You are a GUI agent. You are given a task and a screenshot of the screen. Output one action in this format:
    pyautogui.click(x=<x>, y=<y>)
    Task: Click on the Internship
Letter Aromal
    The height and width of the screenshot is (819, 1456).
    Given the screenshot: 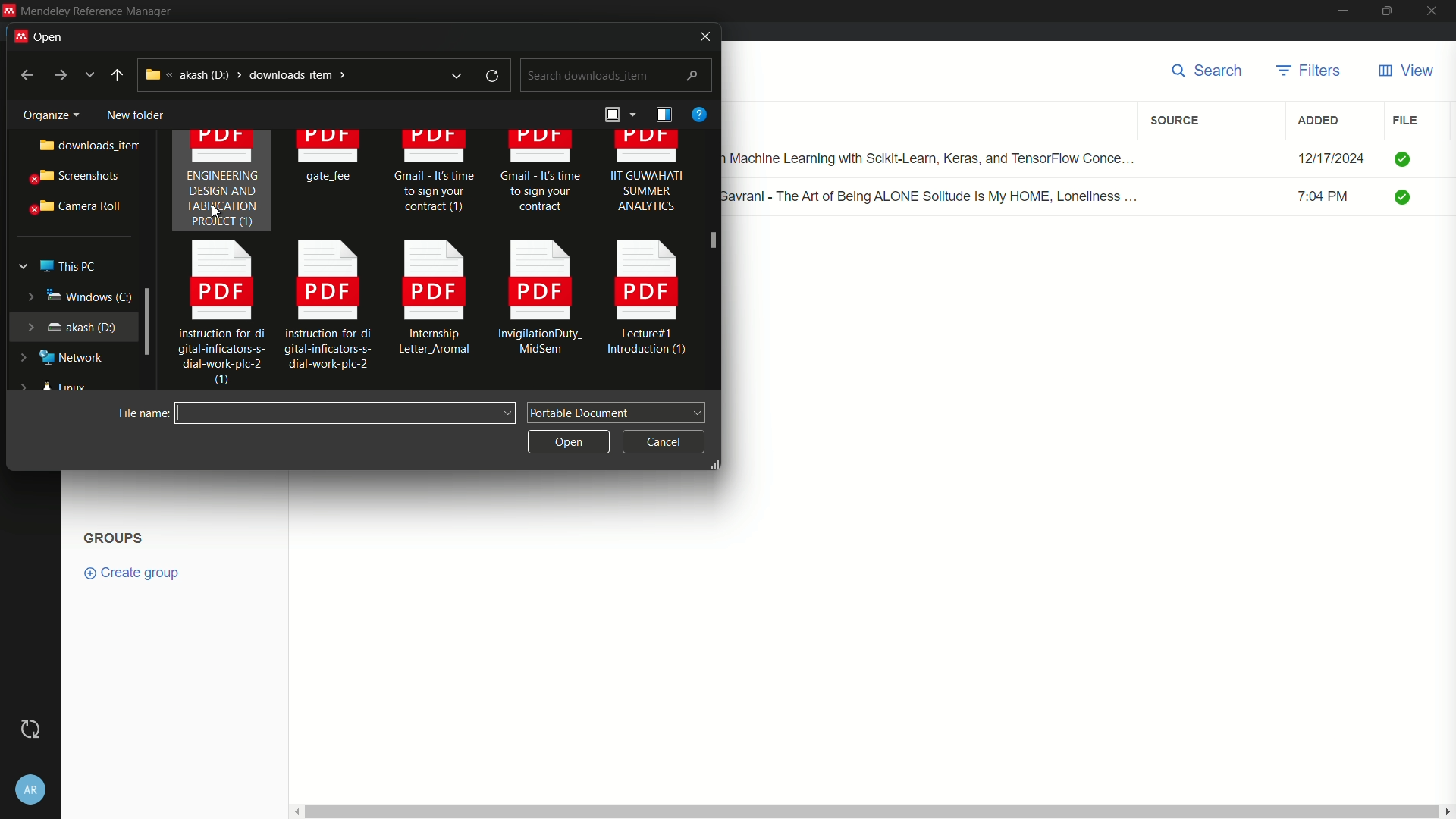 What is the action you would take?
    pyautogui.click(x=429, y=303)
    